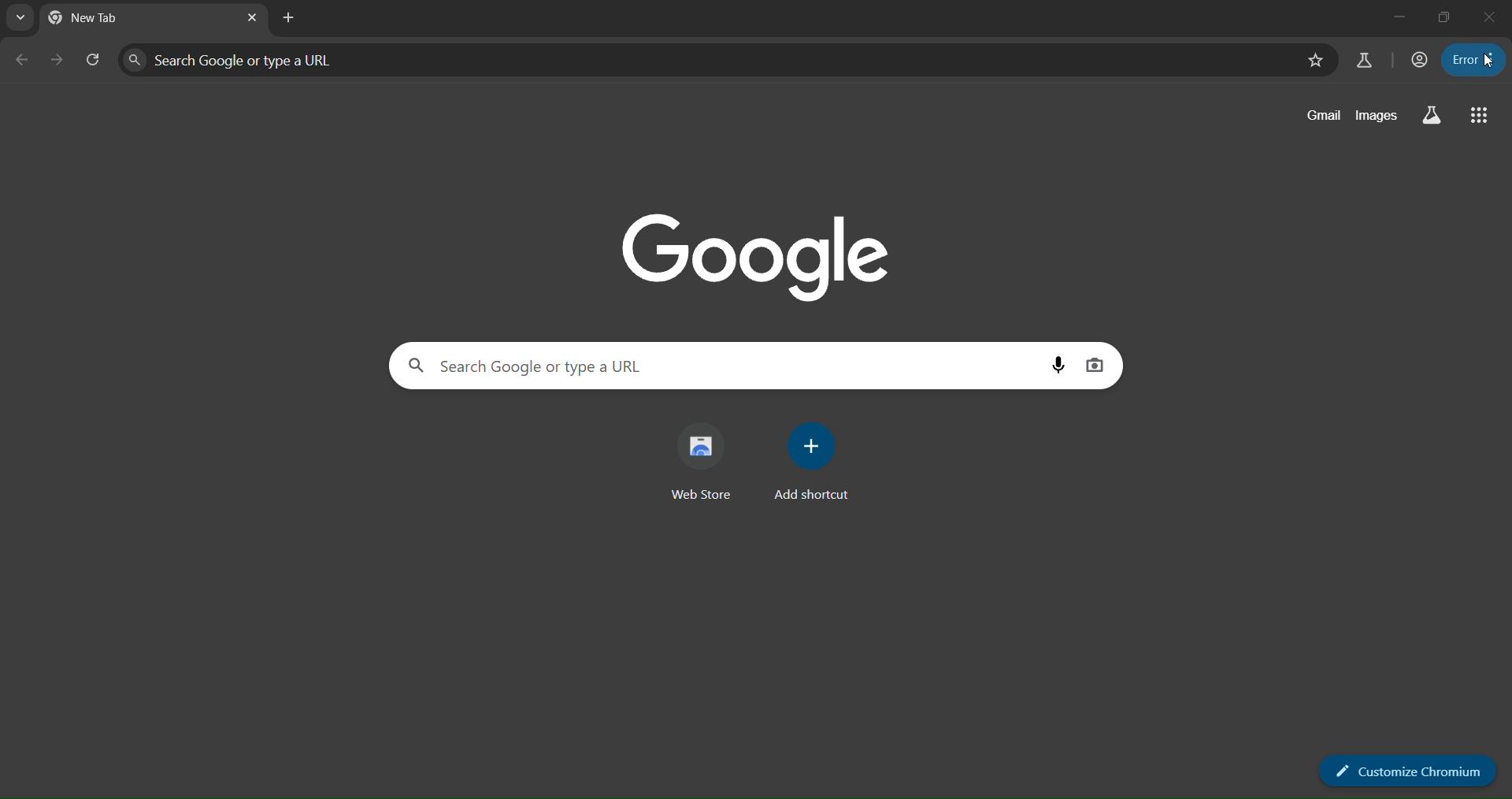 This screenshot has width=1512, height=799. I want to click on voice search, so click(1098, 364).